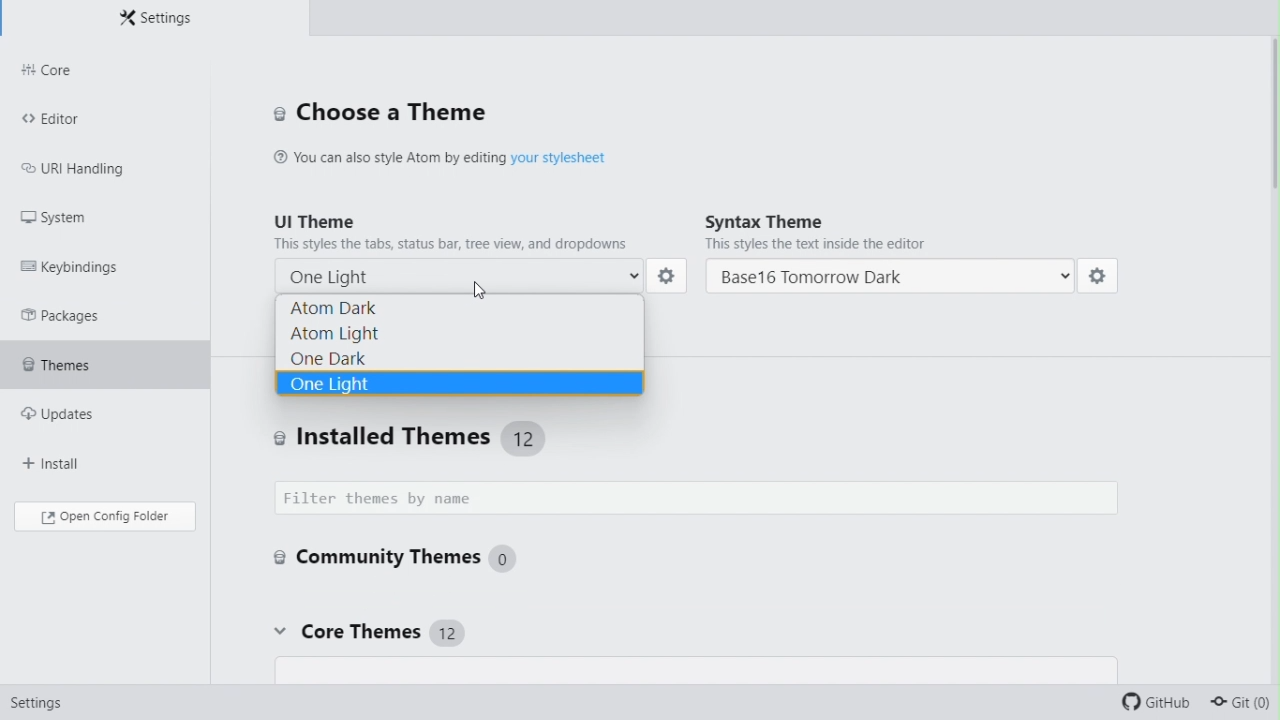 The image size is (1280, 720). Describe the element at coordinates (366, 633) in the screenshot. I see `Core themes 12` at that location.